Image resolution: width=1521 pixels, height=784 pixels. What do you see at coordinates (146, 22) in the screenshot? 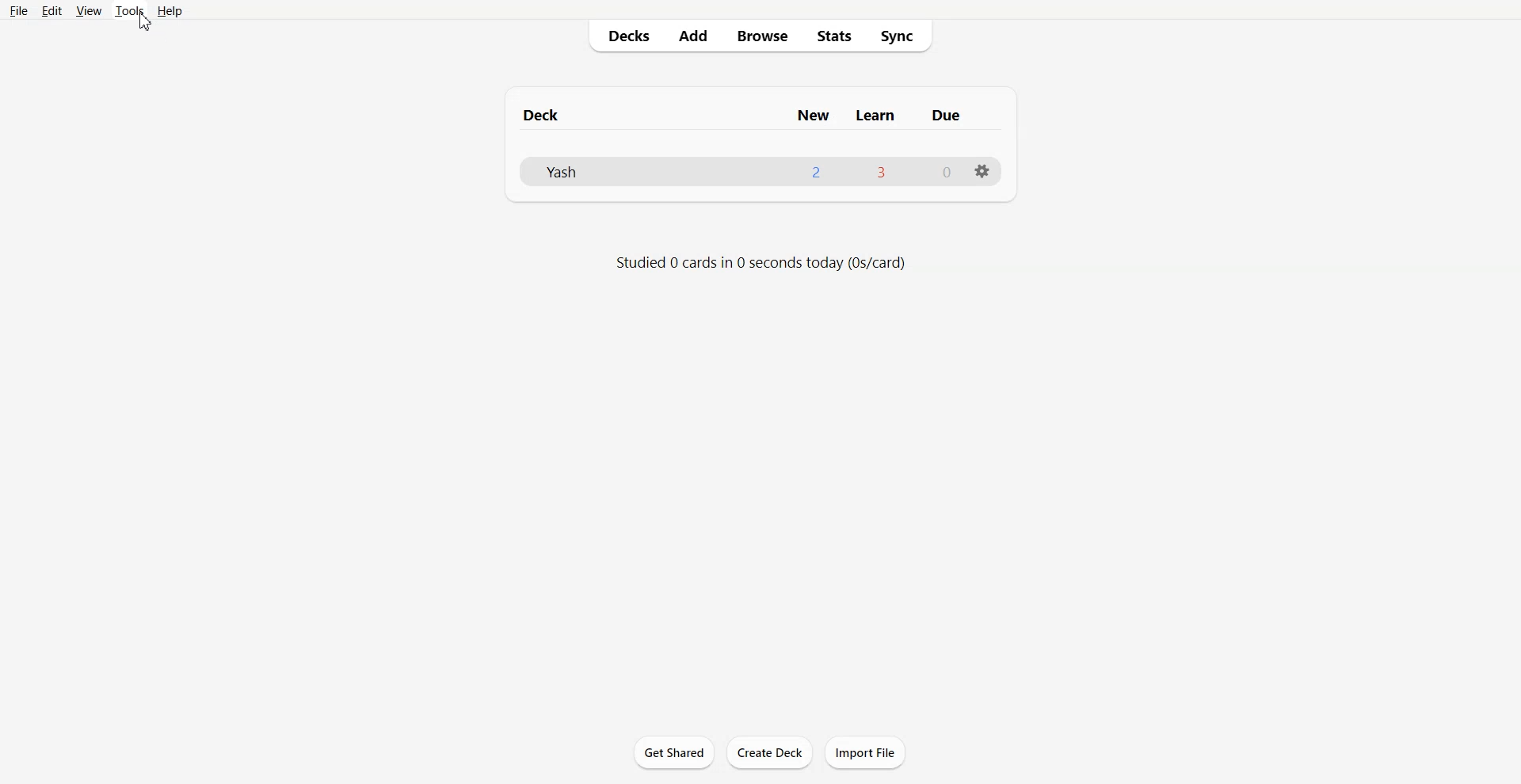
I see `cursor` at bounding box center [146, 22].